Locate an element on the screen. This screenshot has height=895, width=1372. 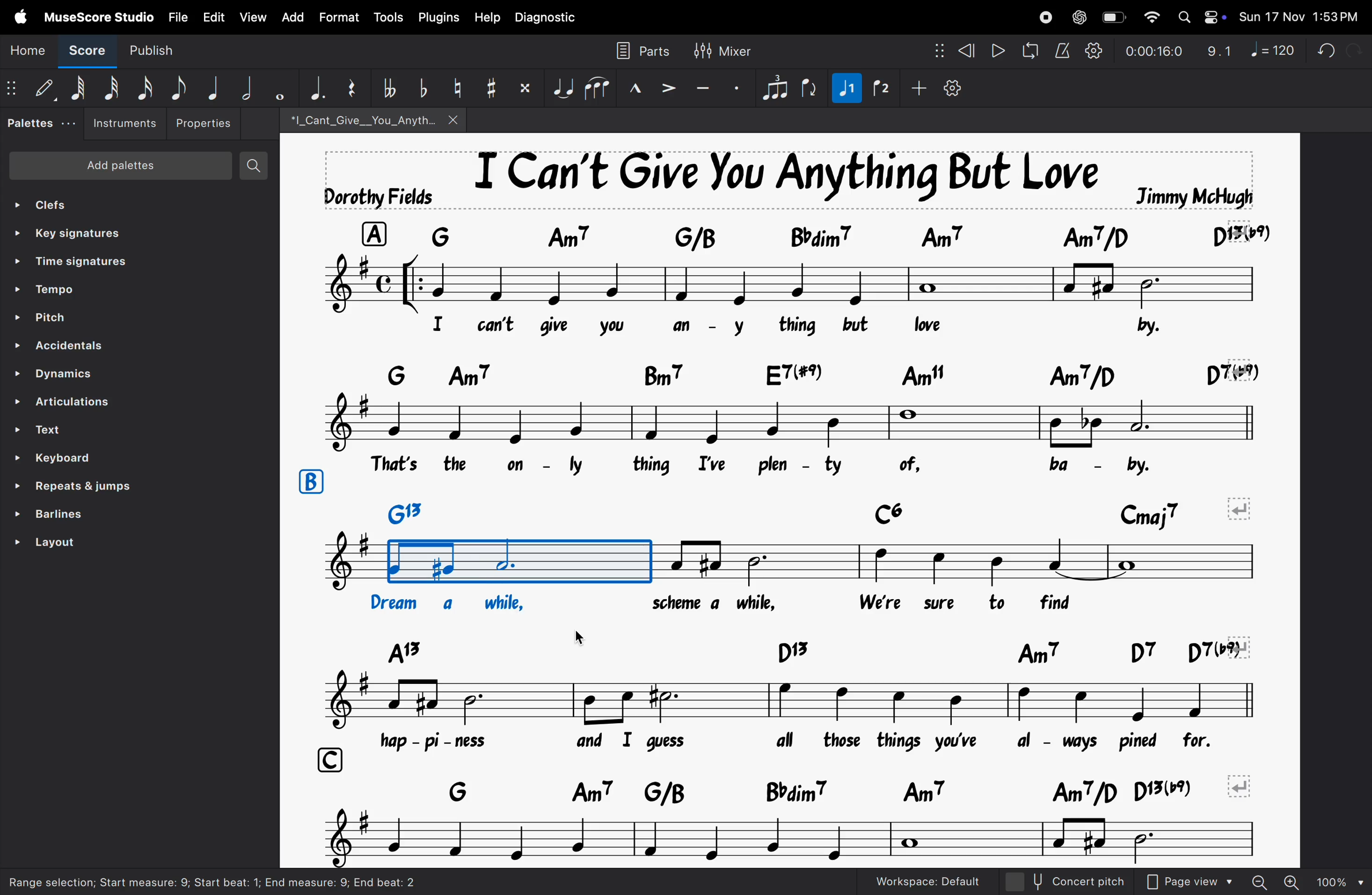
work space is located at coordinates (944, 881).